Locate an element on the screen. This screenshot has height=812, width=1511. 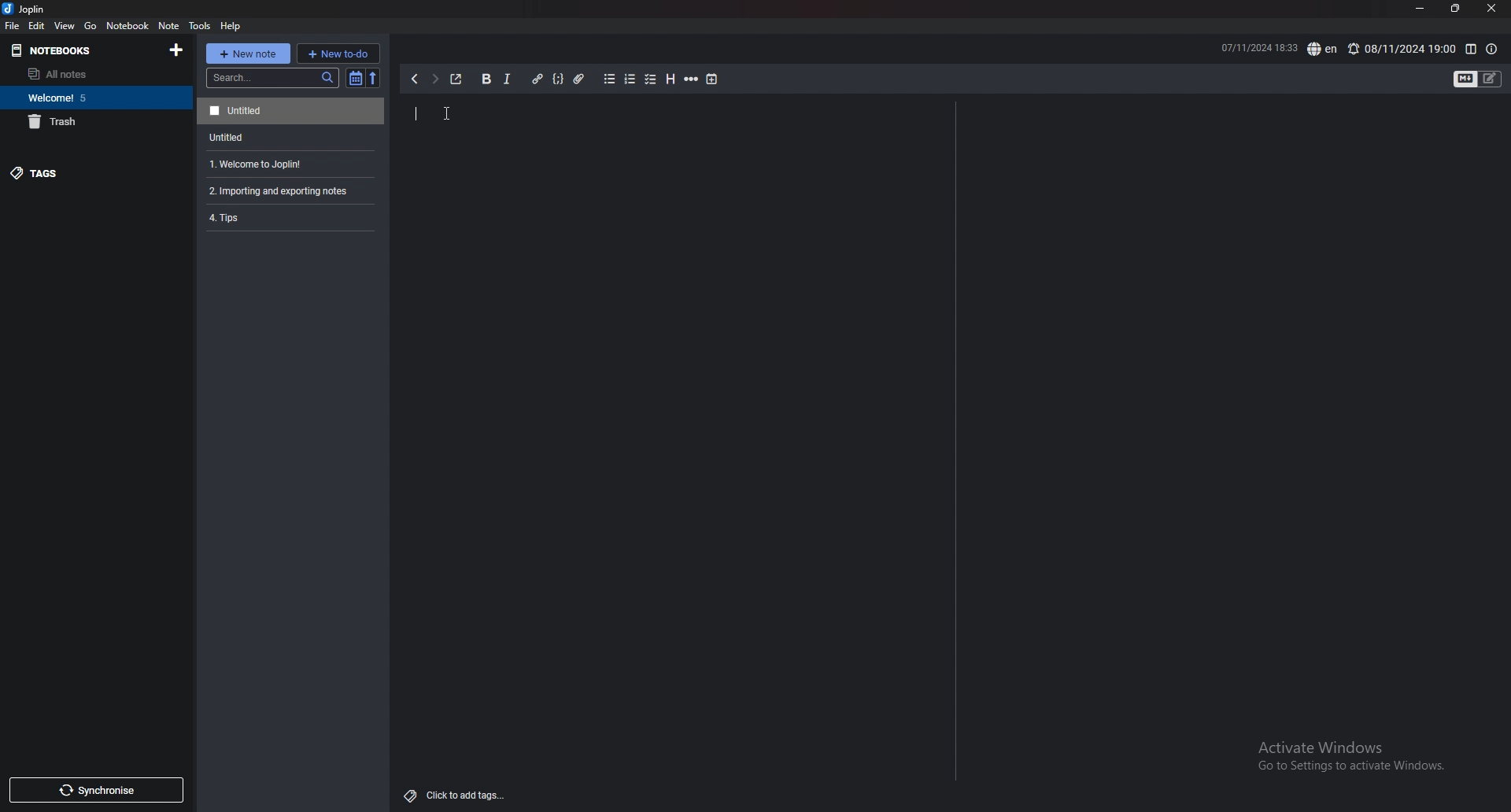
hyperlink is located at coordinates (538, 79).